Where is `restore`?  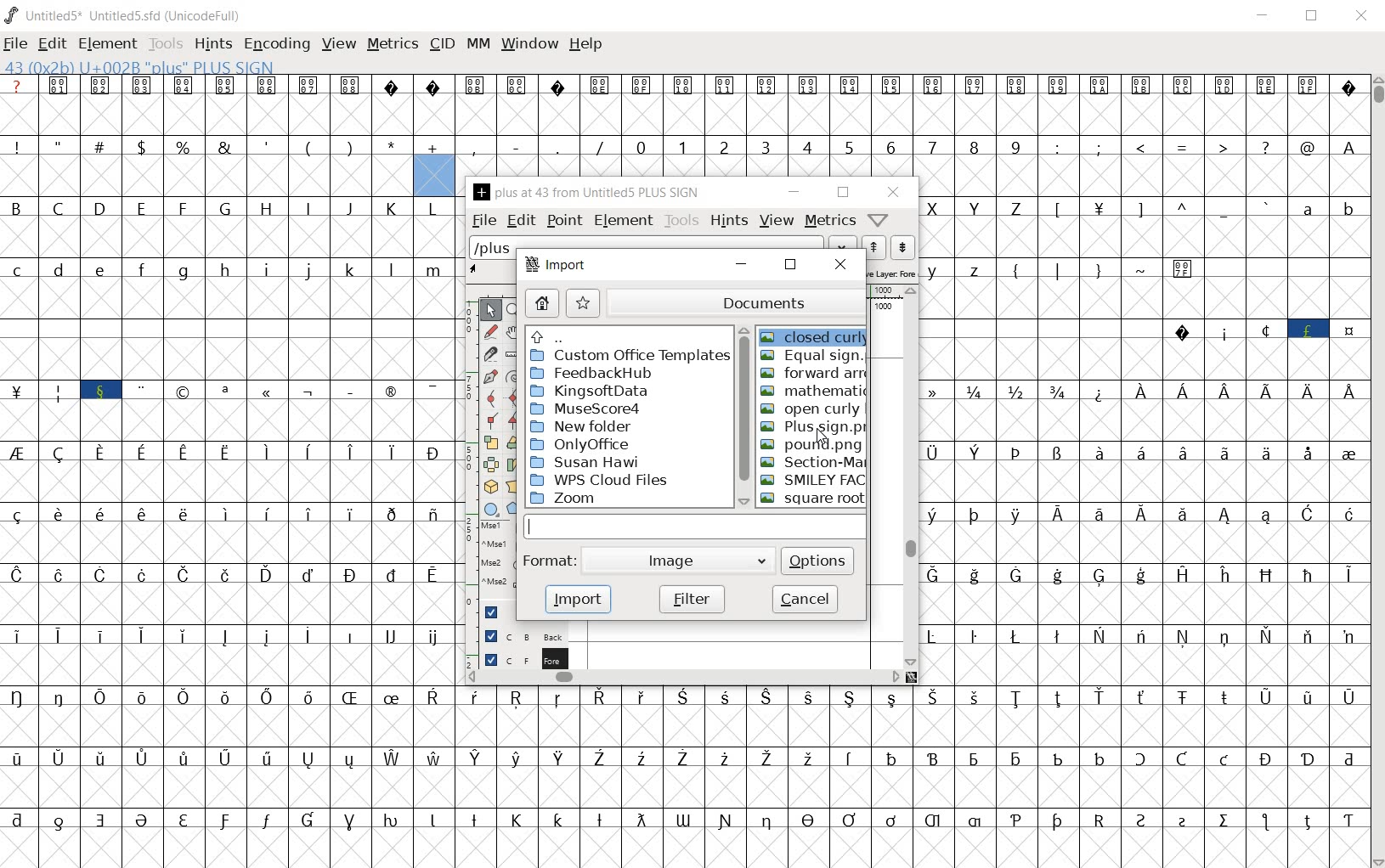 restore is located at coordinates (789, 268).